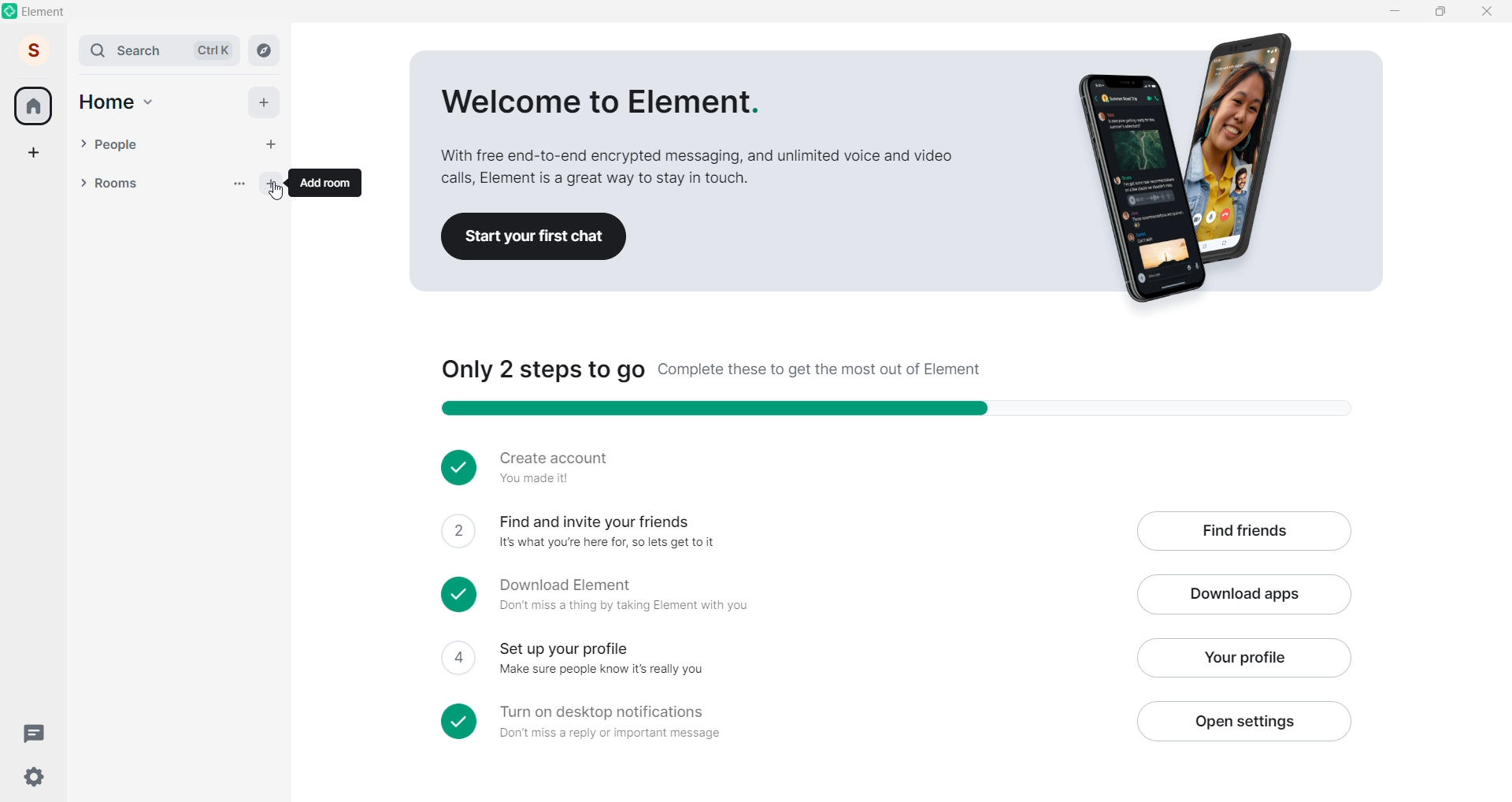 The image size is (1512, 802). Describe the element at coordinates (1440, 10) in the screenshot. I see `Maximize` at that location.